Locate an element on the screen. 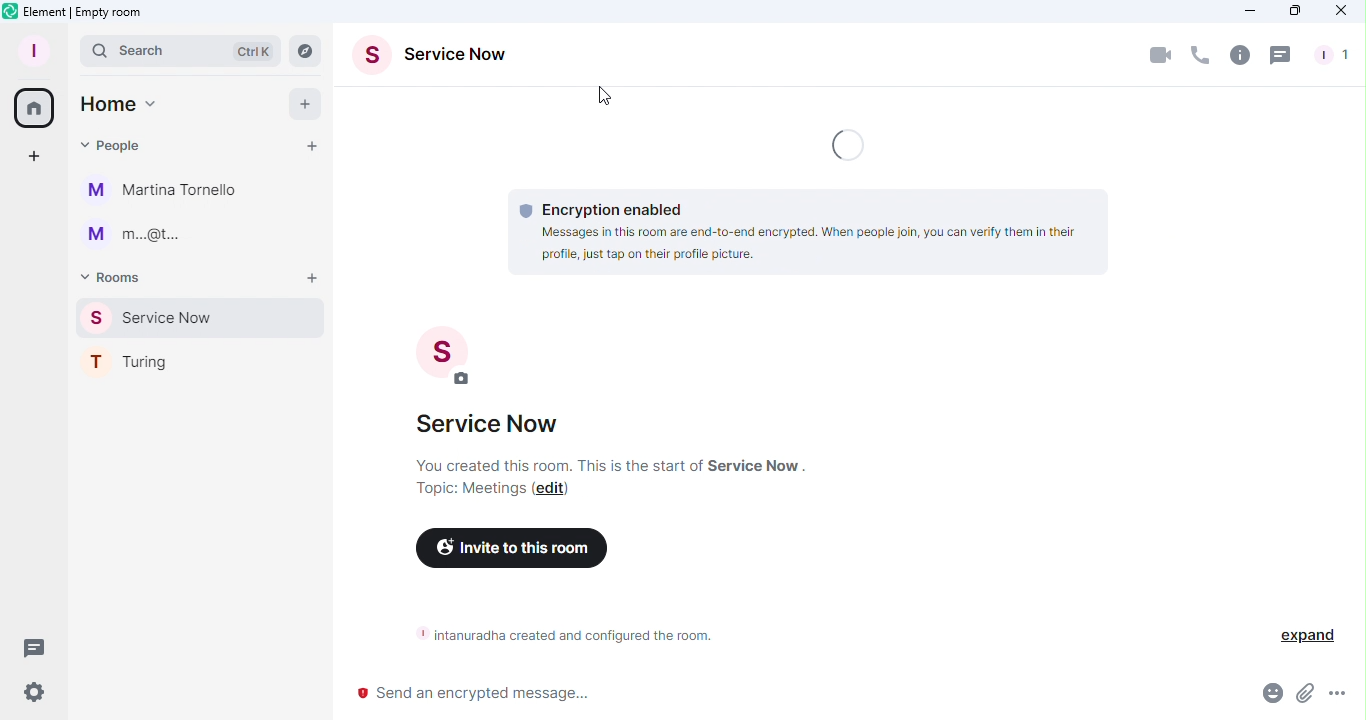 The height and width of the screenshot is (720, 1366). Call is located at coordinates (1200, 56).